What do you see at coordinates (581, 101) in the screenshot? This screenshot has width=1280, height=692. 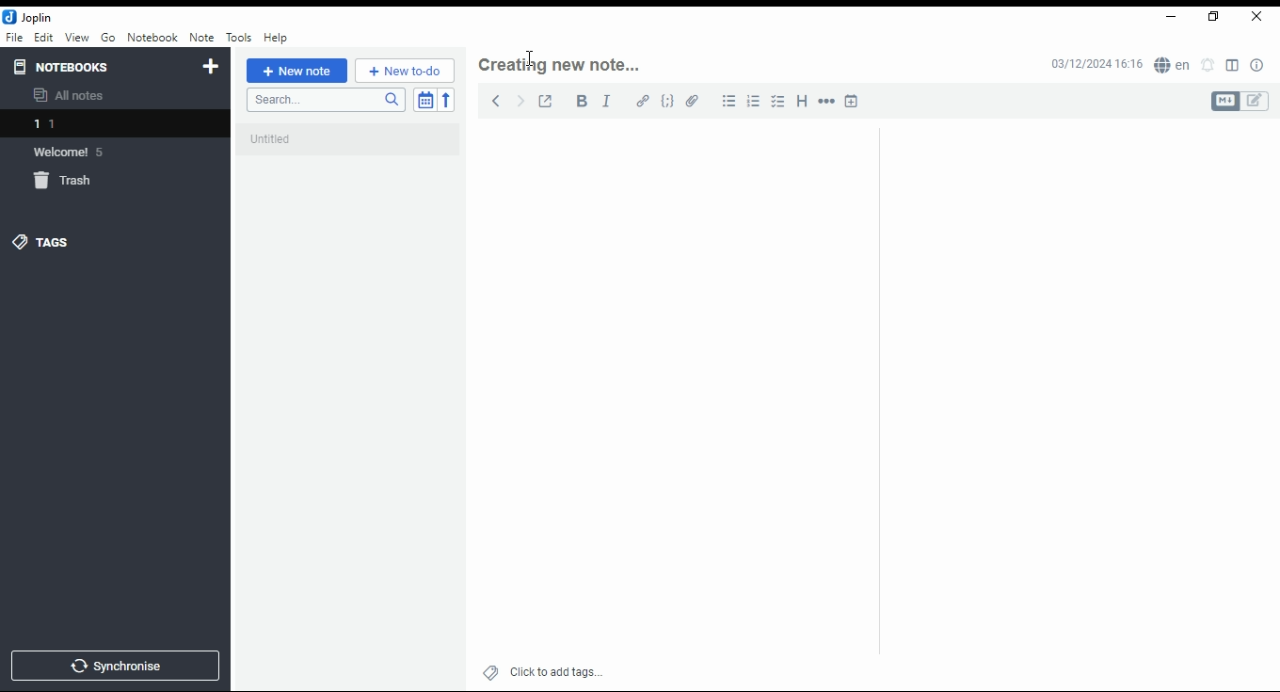 I see `bold` at bounding box center [581, 101].